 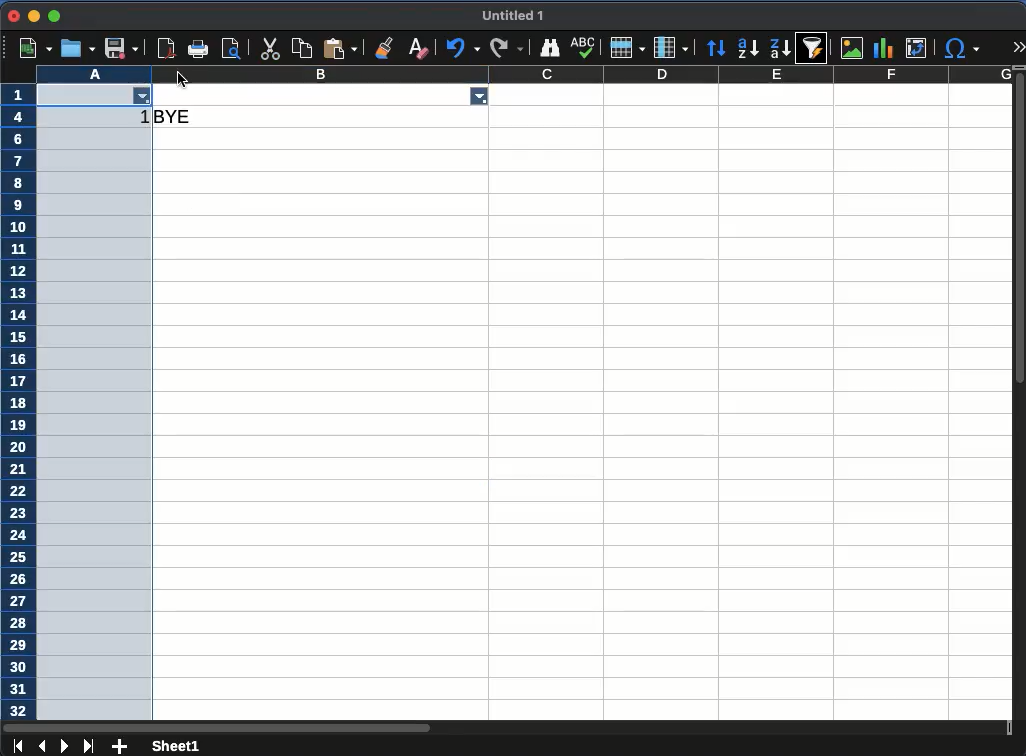 What do you see at coordinates (1020, 47) in the screenshot?
I see `expand` at bounding box center [1020, 47].